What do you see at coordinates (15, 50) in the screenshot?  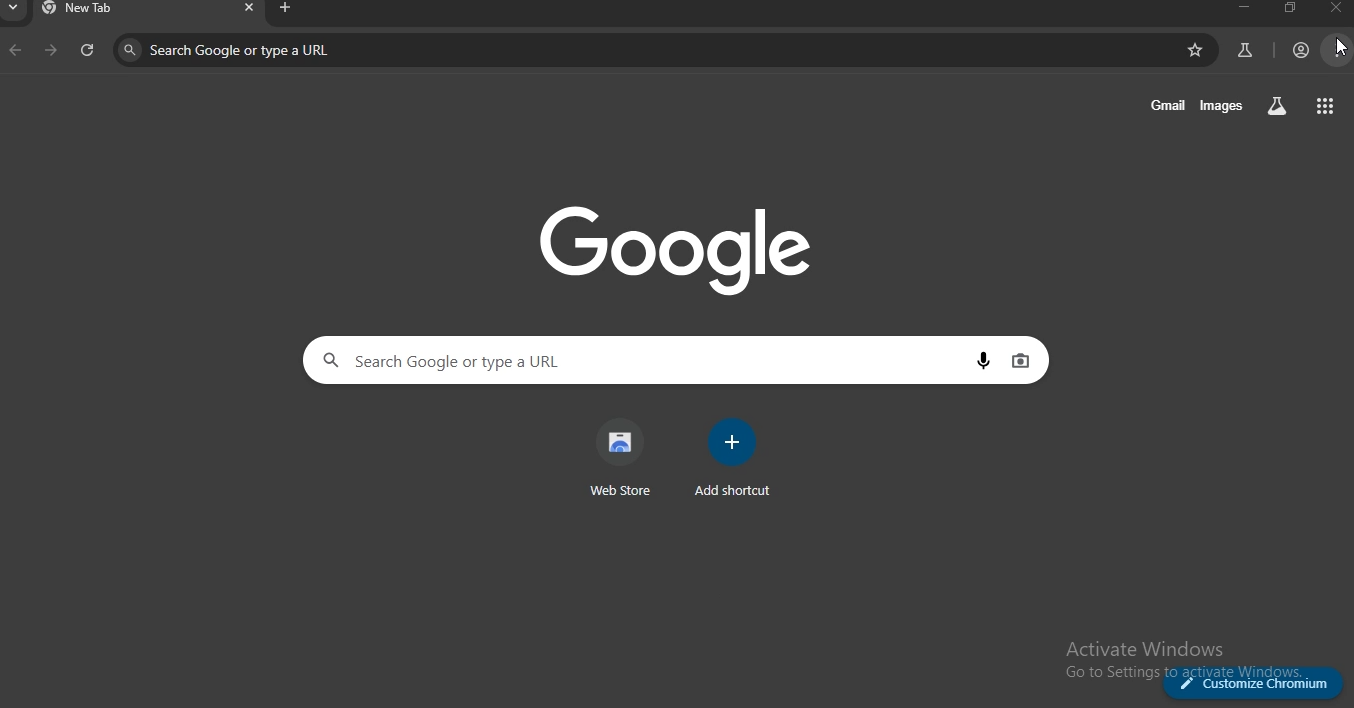 I see `backward` at bounding box center [15, 50].